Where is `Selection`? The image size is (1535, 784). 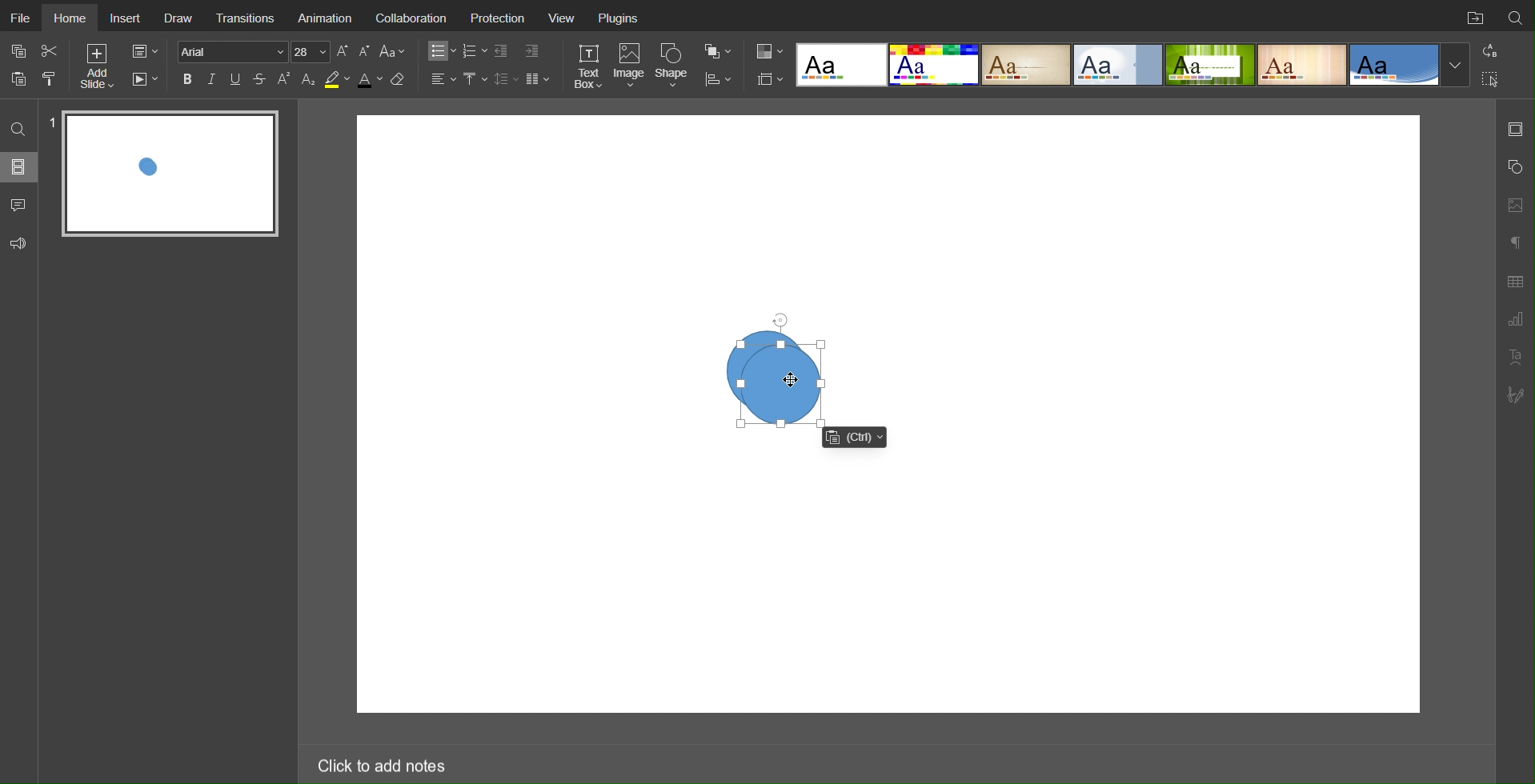
Selection is located at coordinates (1491, 78).